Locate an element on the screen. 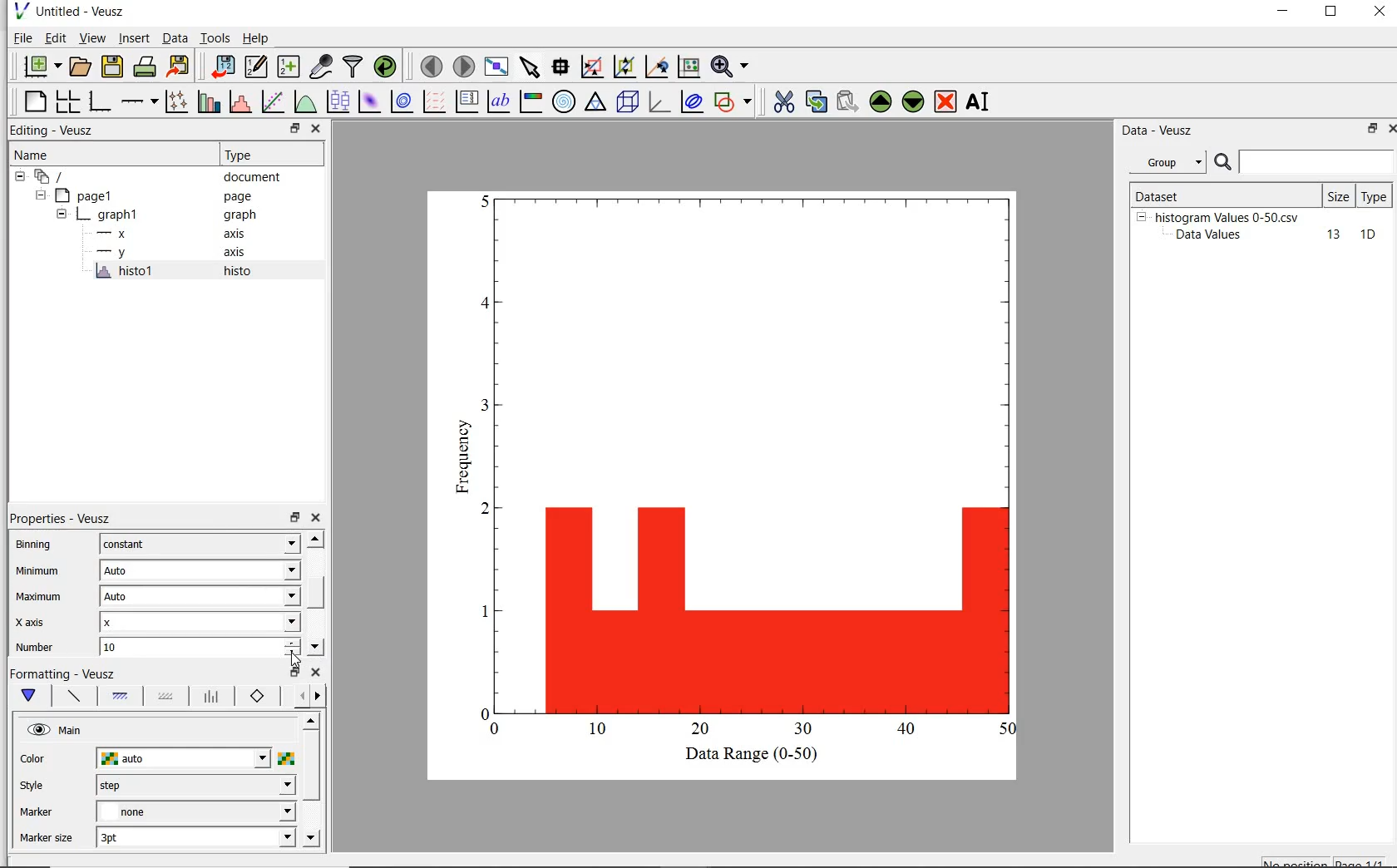 This screenshot has height=868, width=1397. move to next page is located at coordinates (465, 66).